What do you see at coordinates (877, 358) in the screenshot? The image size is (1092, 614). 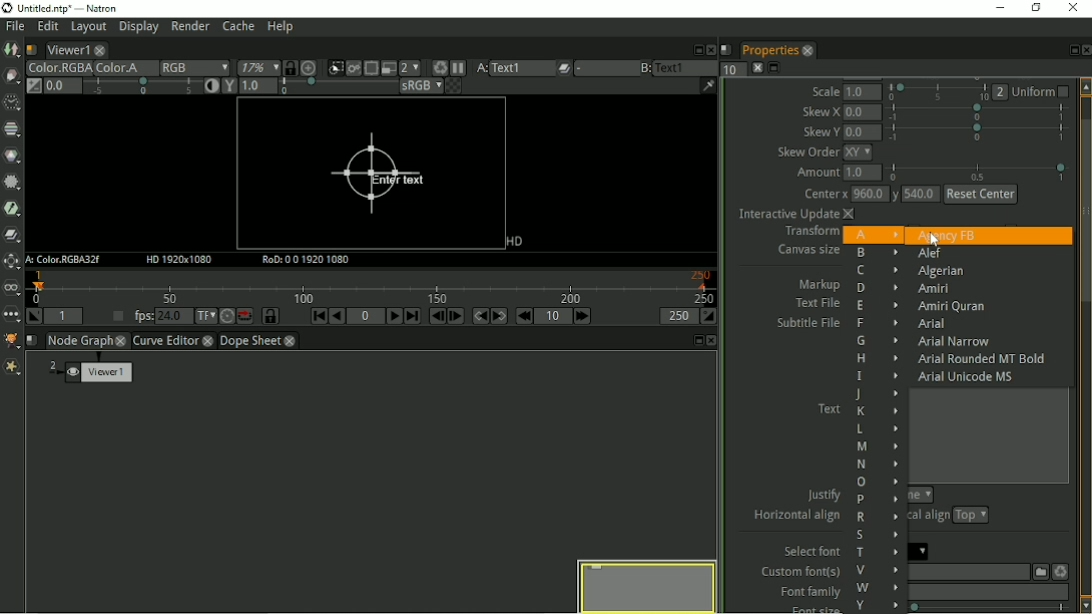 I see `H` at bounding box center [877, 358].